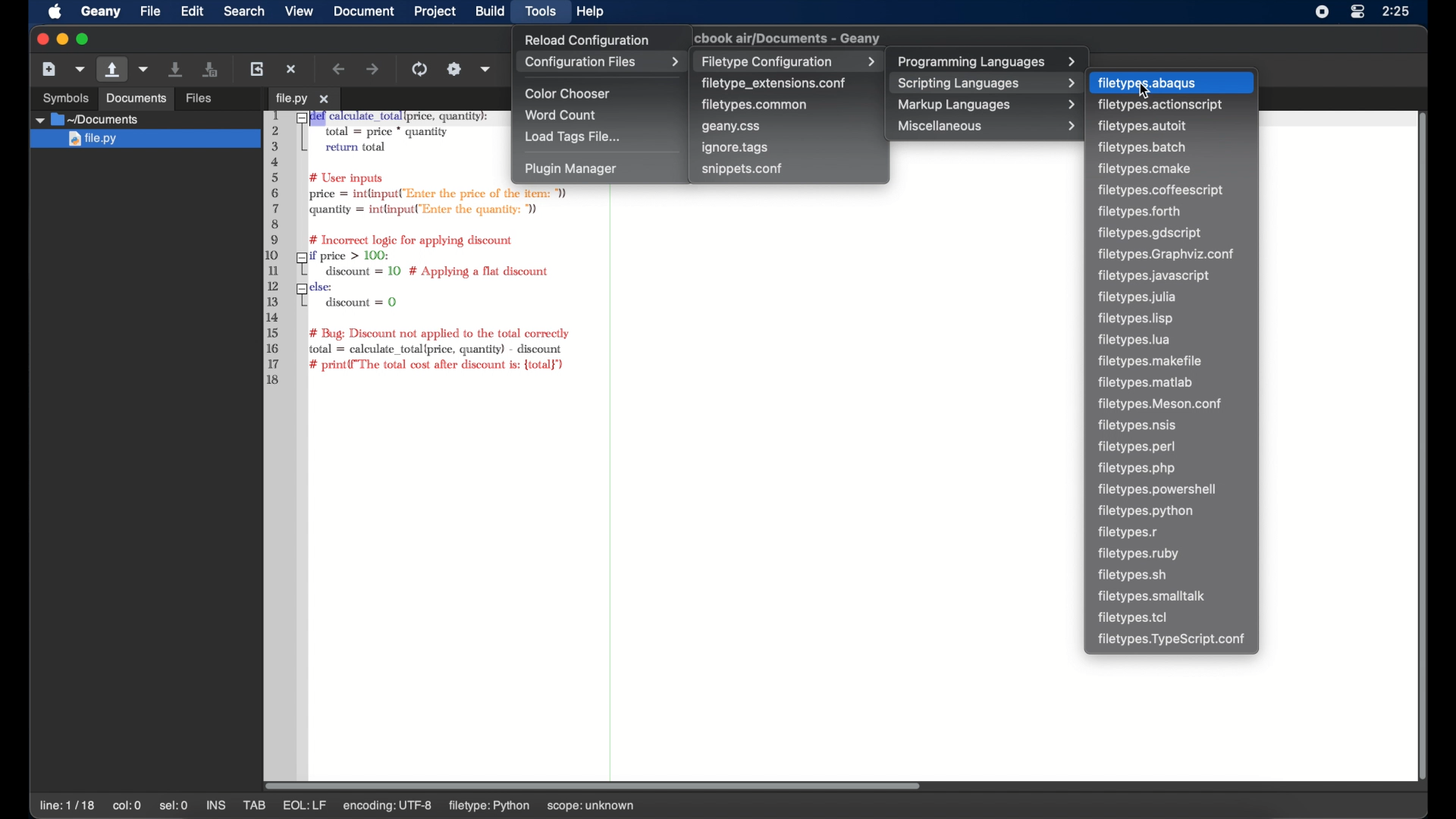 Image resolution: width=1456 pixels, height=819 pixels. Describe the element at coordinates (211, 70) in the screenshot. I see `save all files` at that location.